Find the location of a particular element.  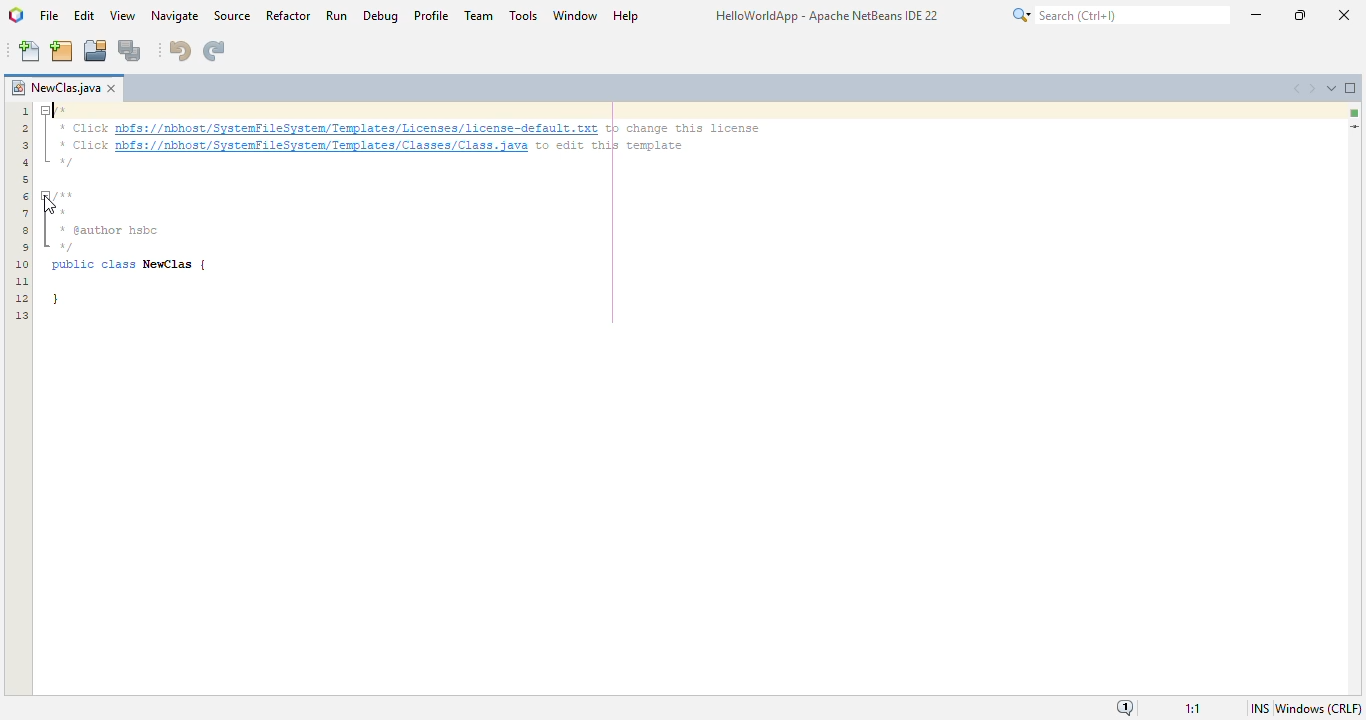

cursor is located at coordinates (50, 204).